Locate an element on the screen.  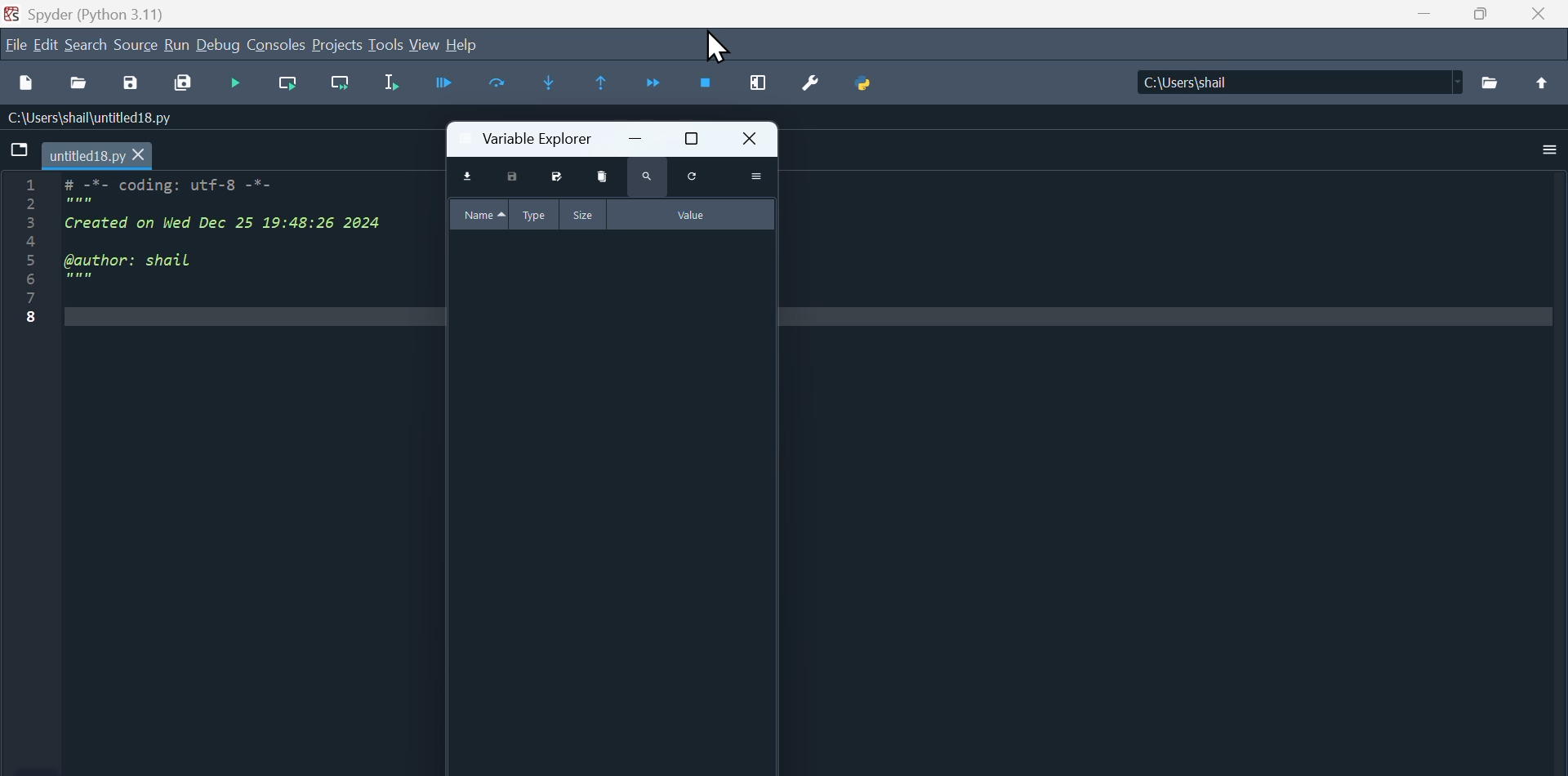
Tools is located at coordinates (385, 46).